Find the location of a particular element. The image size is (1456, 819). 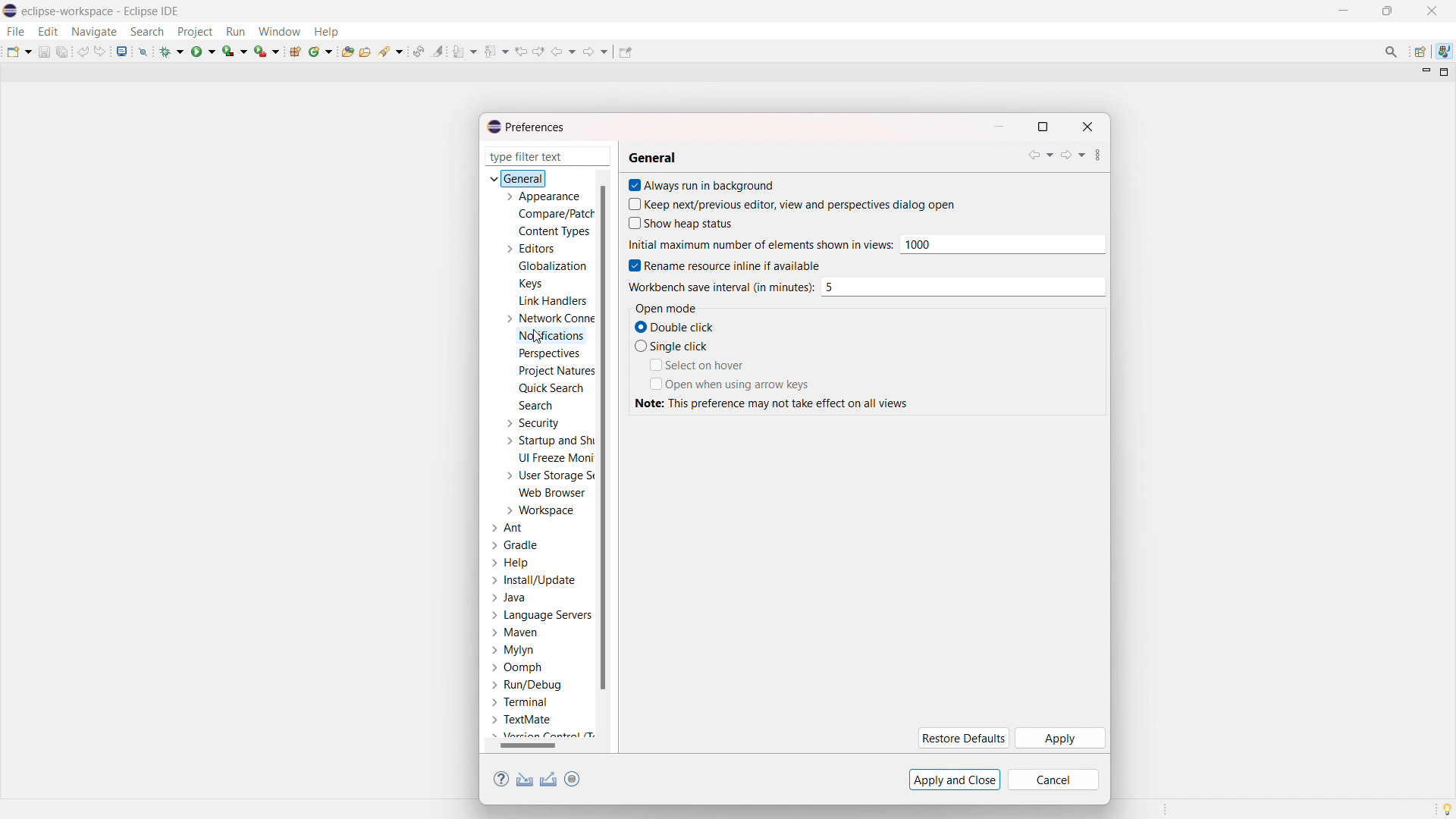

minimize dialogbox is located at coordinates (998, 127).